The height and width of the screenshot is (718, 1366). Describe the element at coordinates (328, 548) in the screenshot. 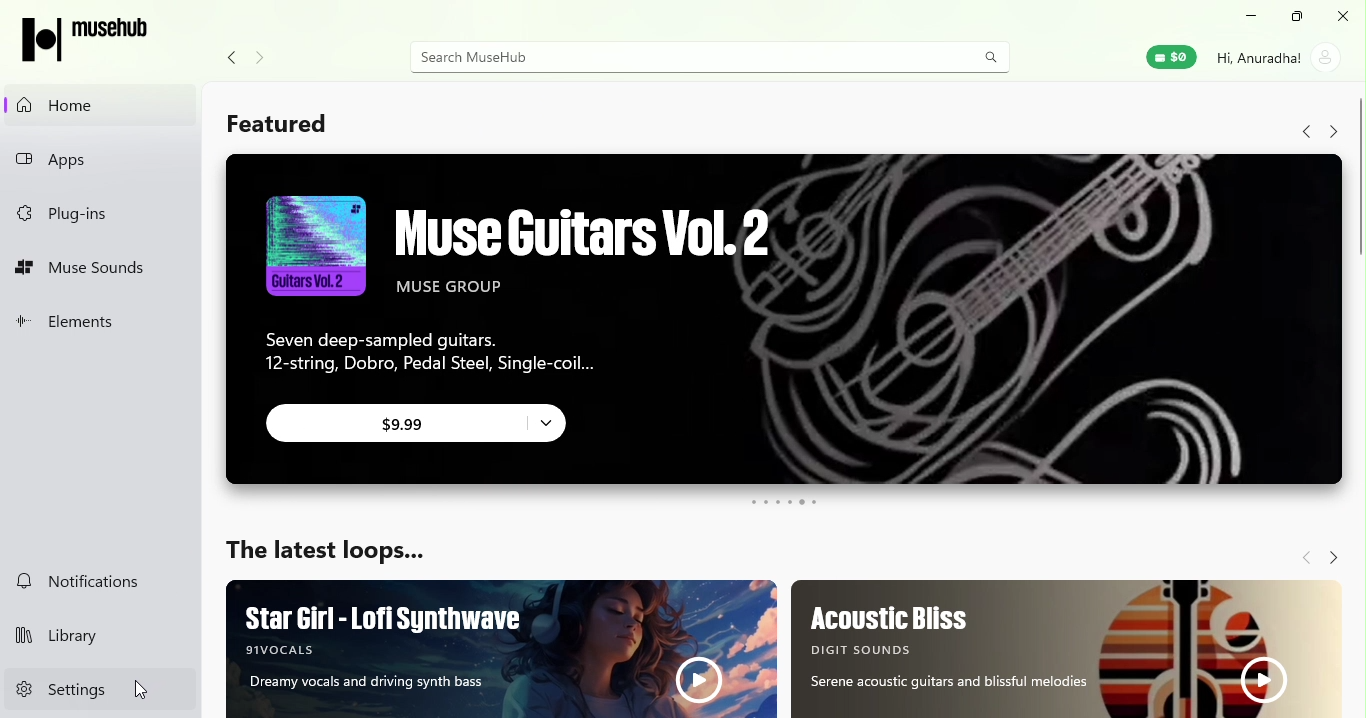

I see `The latest loops` at that location.